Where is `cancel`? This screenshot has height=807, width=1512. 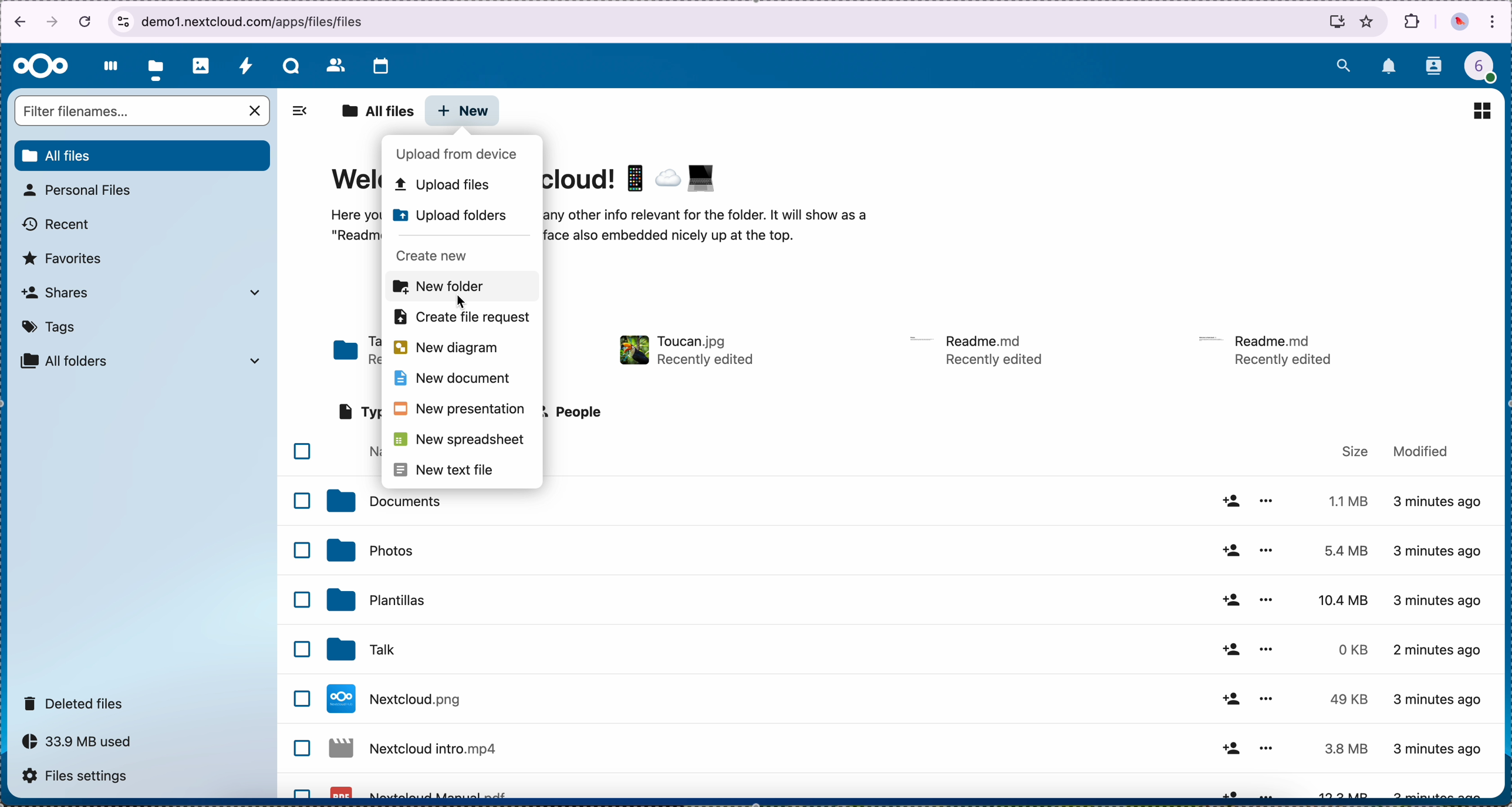 cancel is located at coordinates (87, 21).